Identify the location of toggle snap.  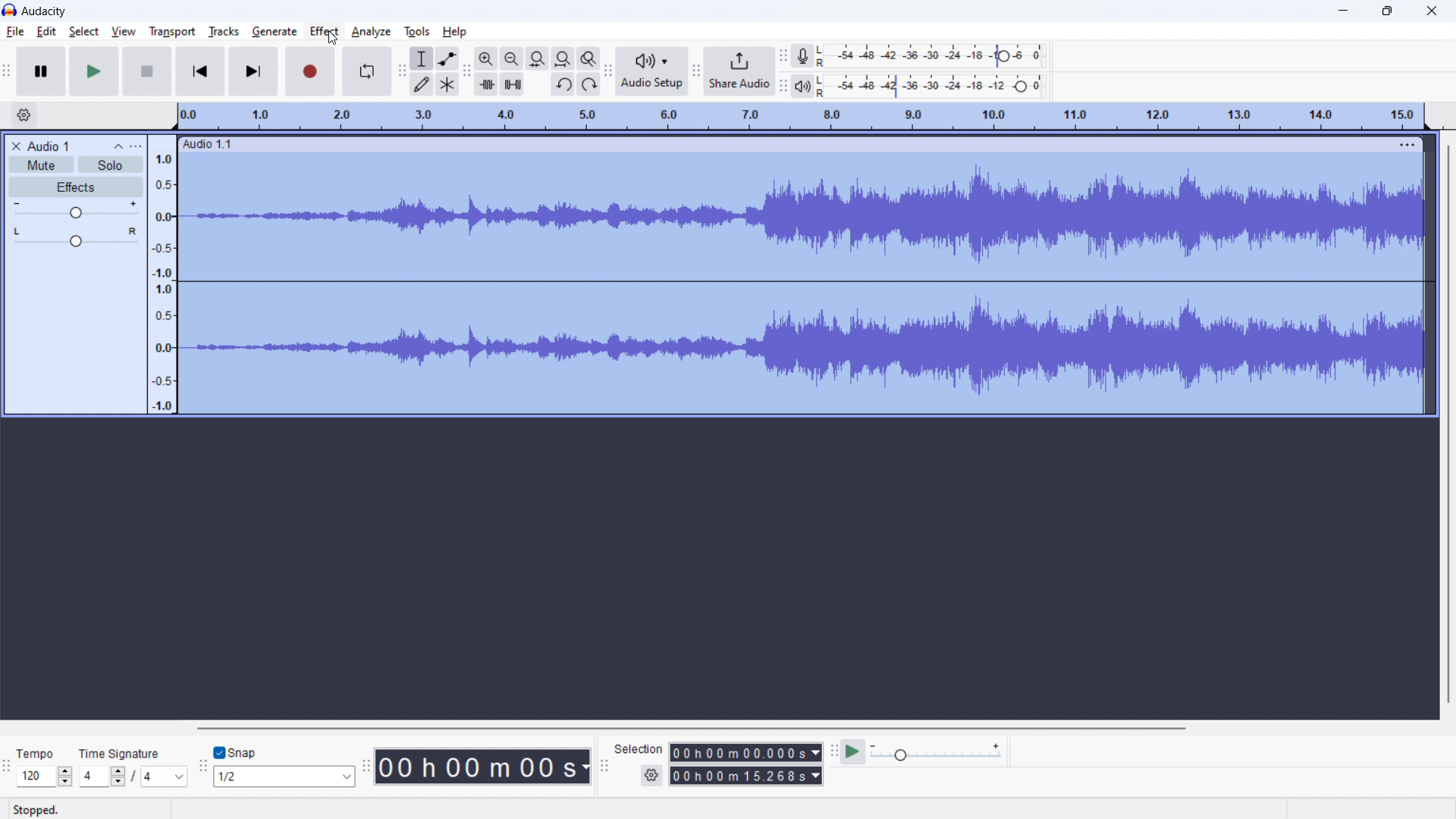
(235, 753).